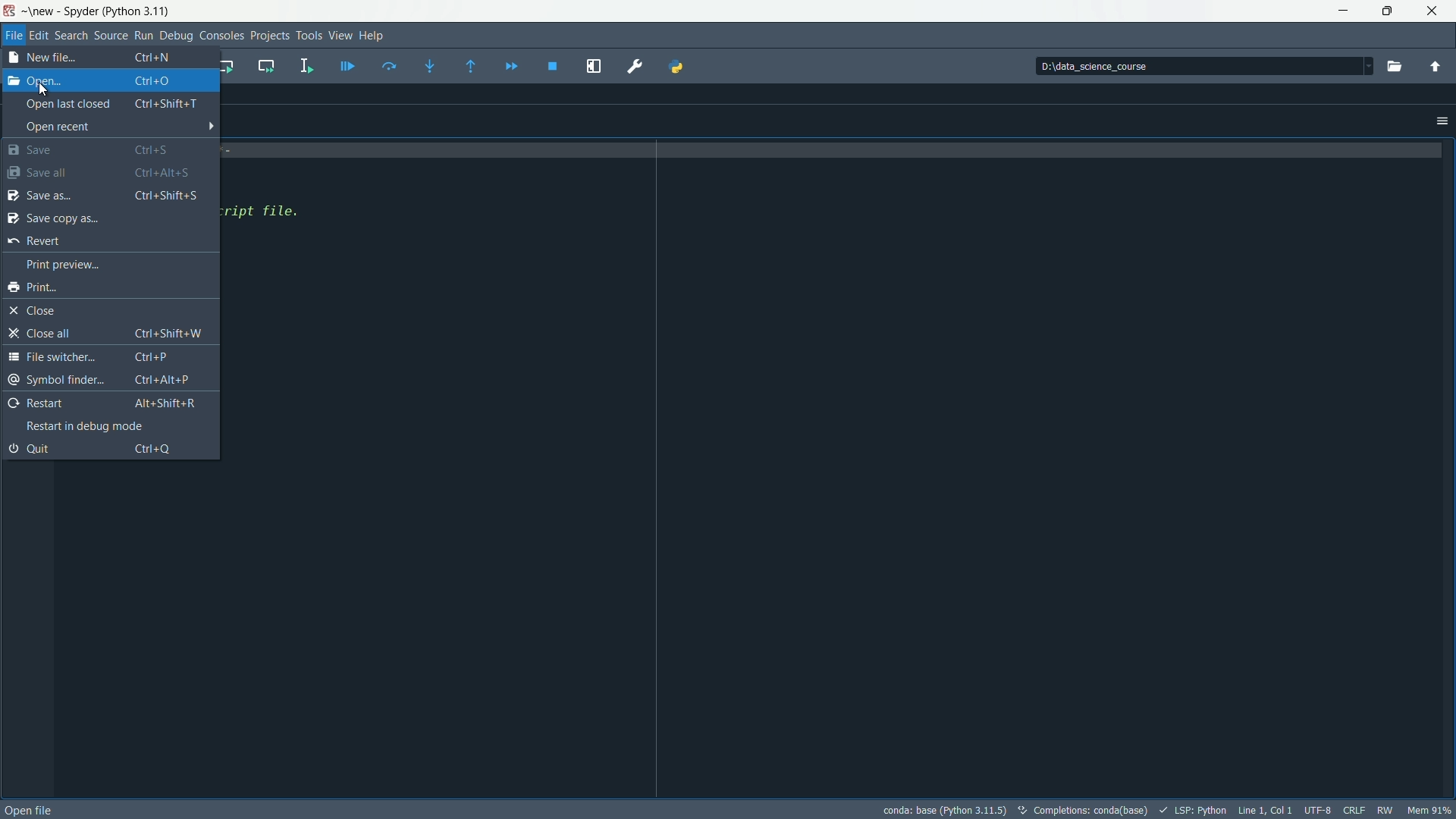  I want to click on save copy as, so click(100, 218).